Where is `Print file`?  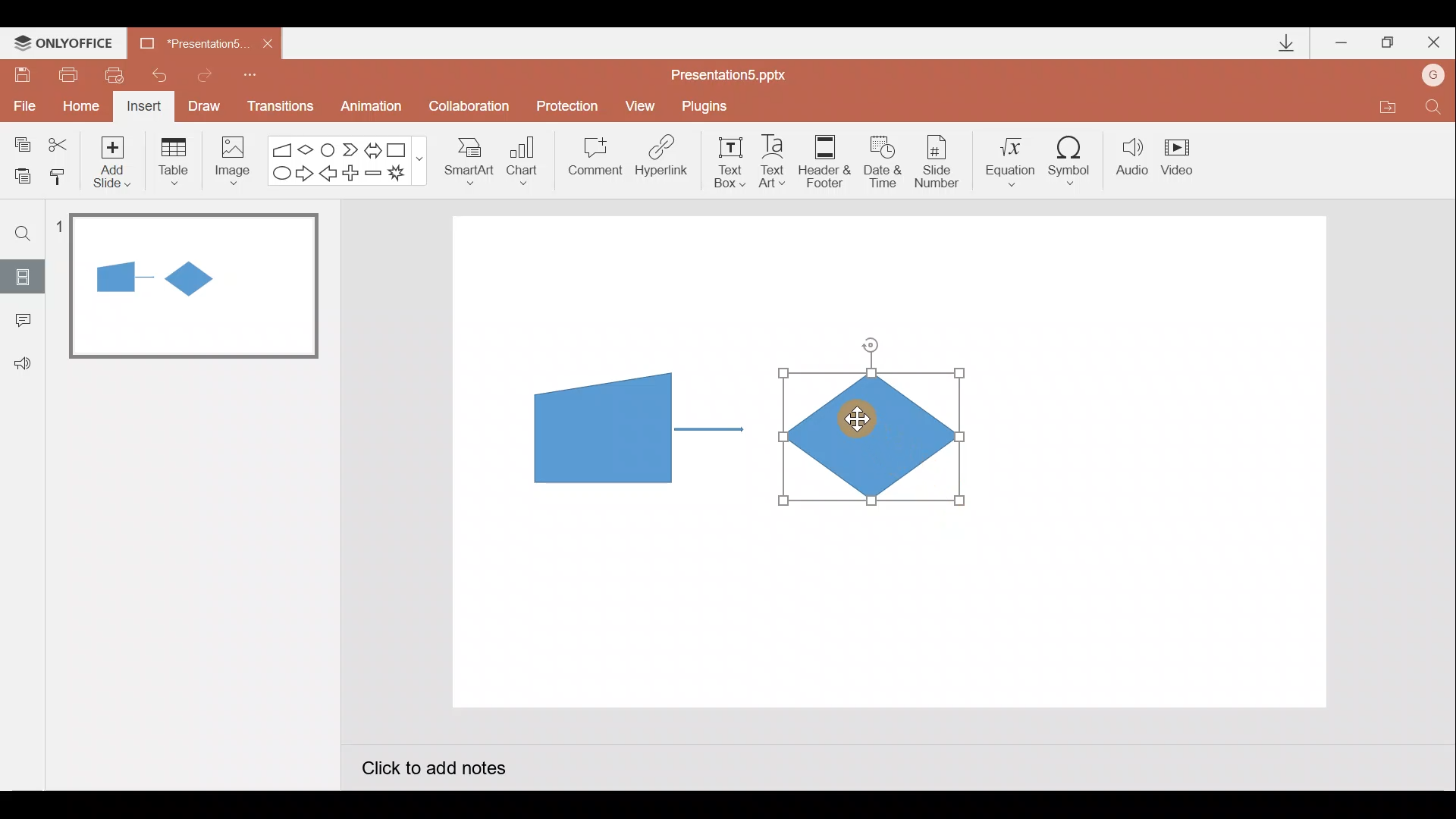 Print file is located at coordinates (65, 74).